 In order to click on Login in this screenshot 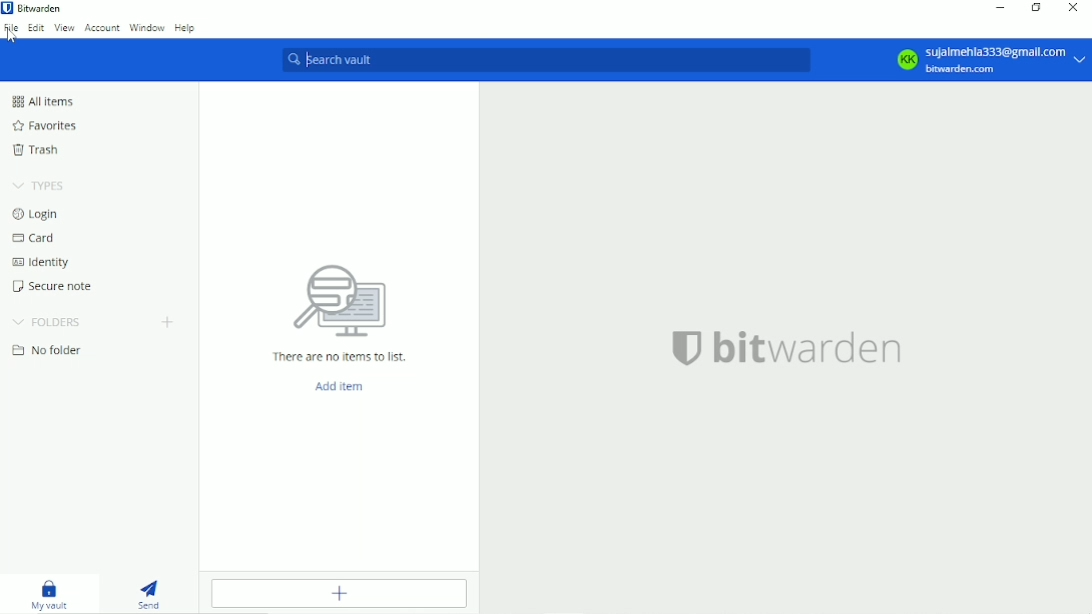, I will do `click(37, 215)`.